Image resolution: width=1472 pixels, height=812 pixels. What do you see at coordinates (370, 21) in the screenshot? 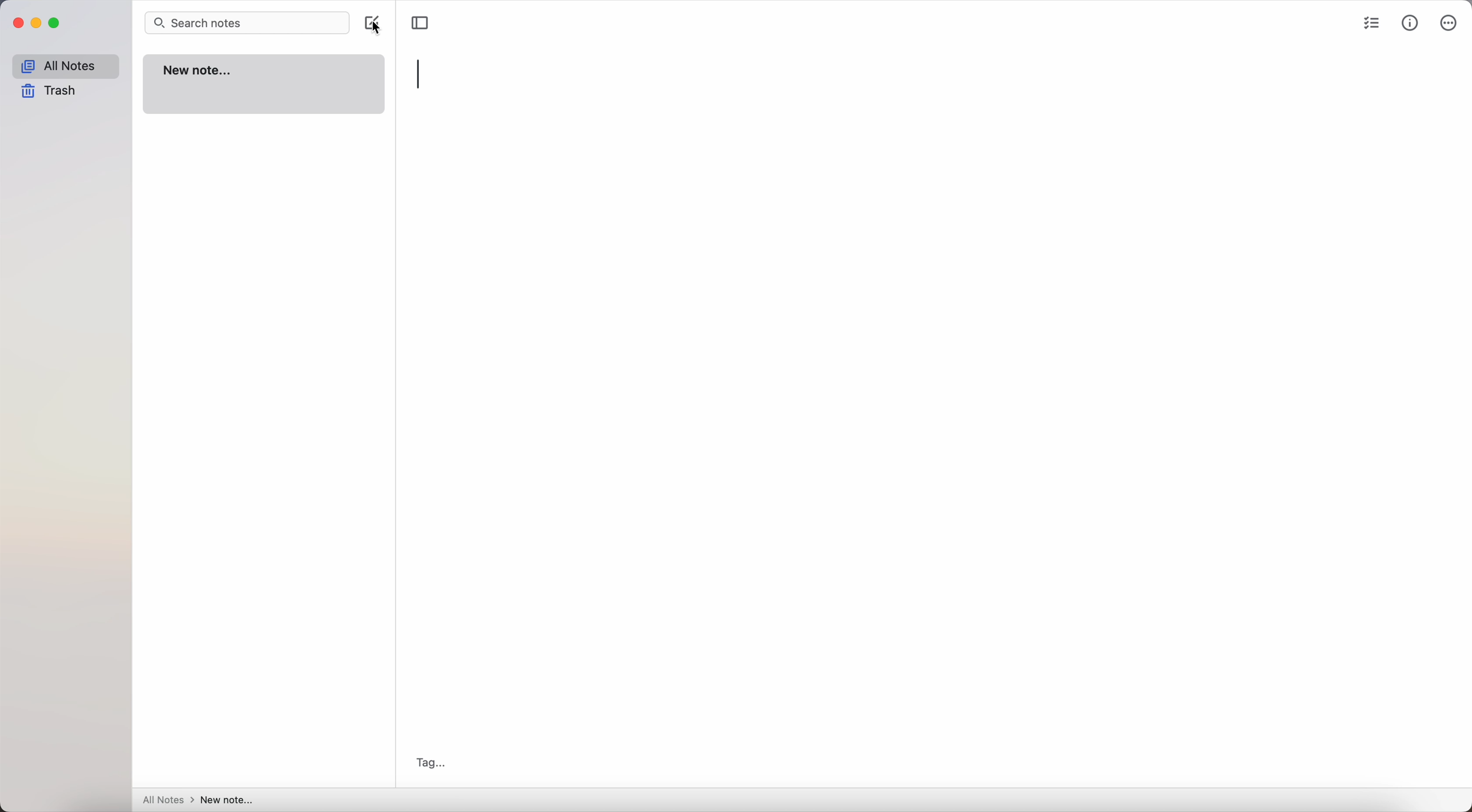
I see `create note` at bounding box center [370, 21].